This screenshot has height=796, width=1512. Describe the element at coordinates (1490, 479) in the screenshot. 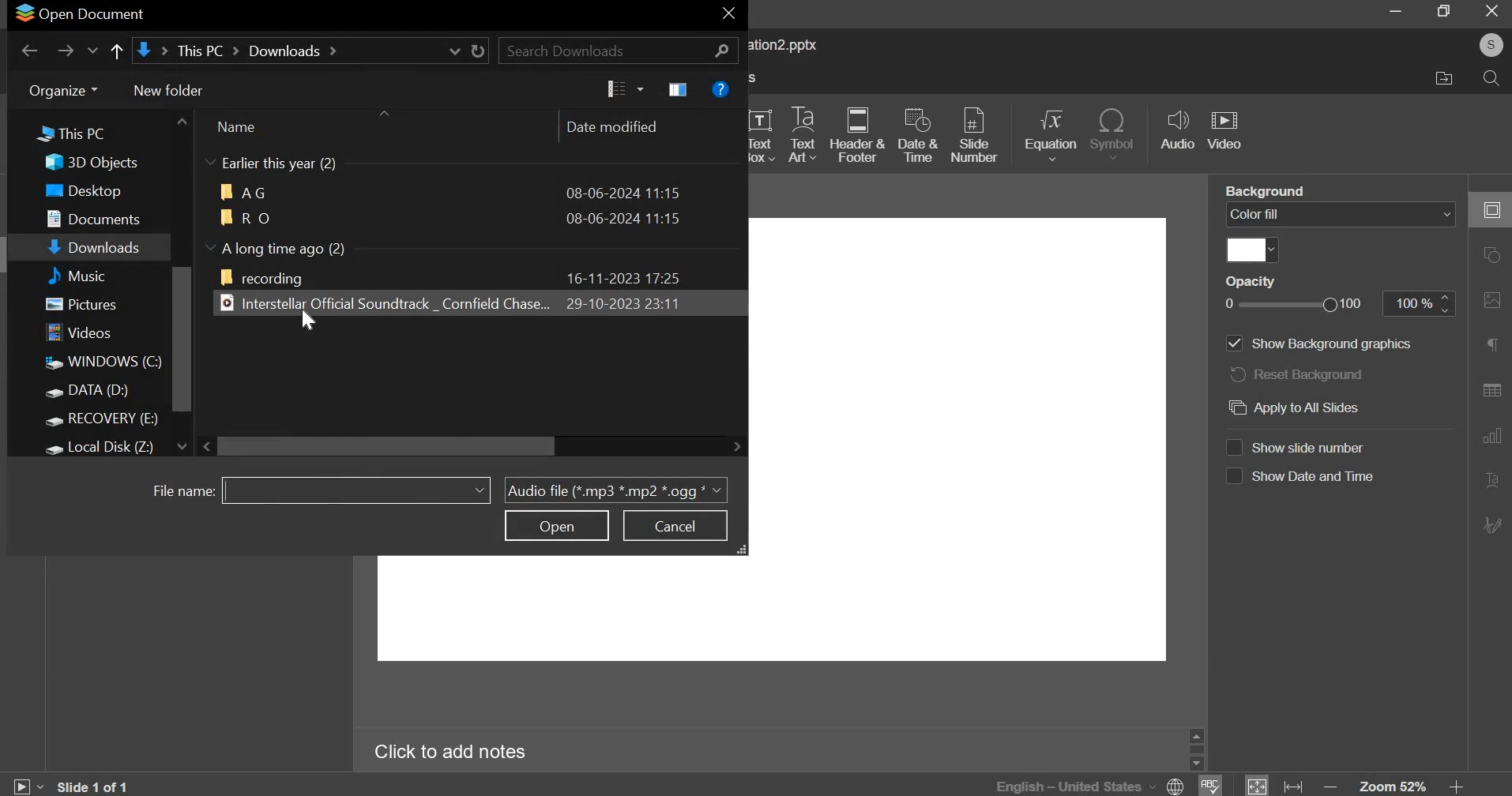

I see `text art settings` at that location.